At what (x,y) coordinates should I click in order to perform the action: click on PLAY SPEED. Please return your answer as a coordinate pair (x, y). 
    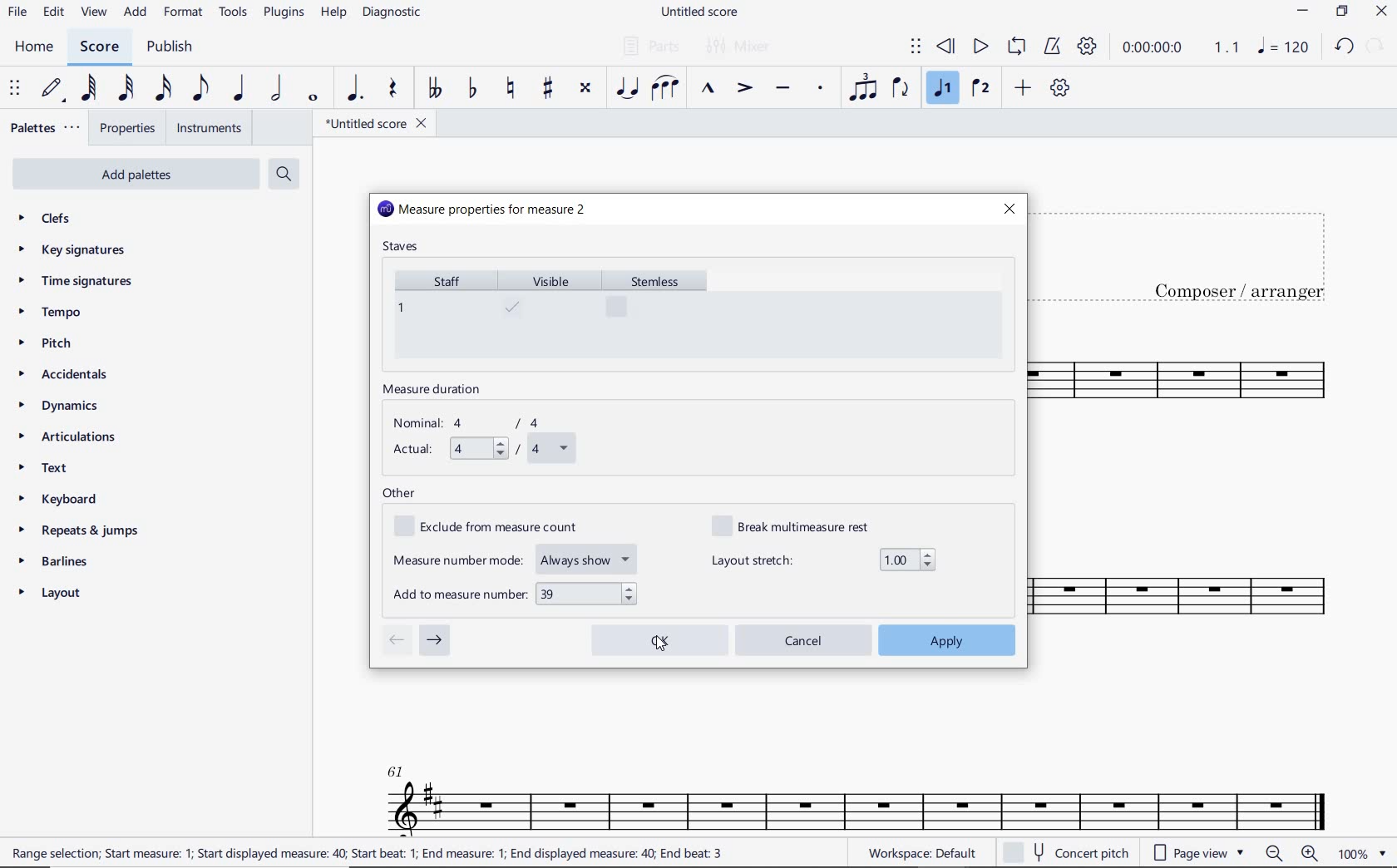
    Looking at the image, I should click on (1181, 49).